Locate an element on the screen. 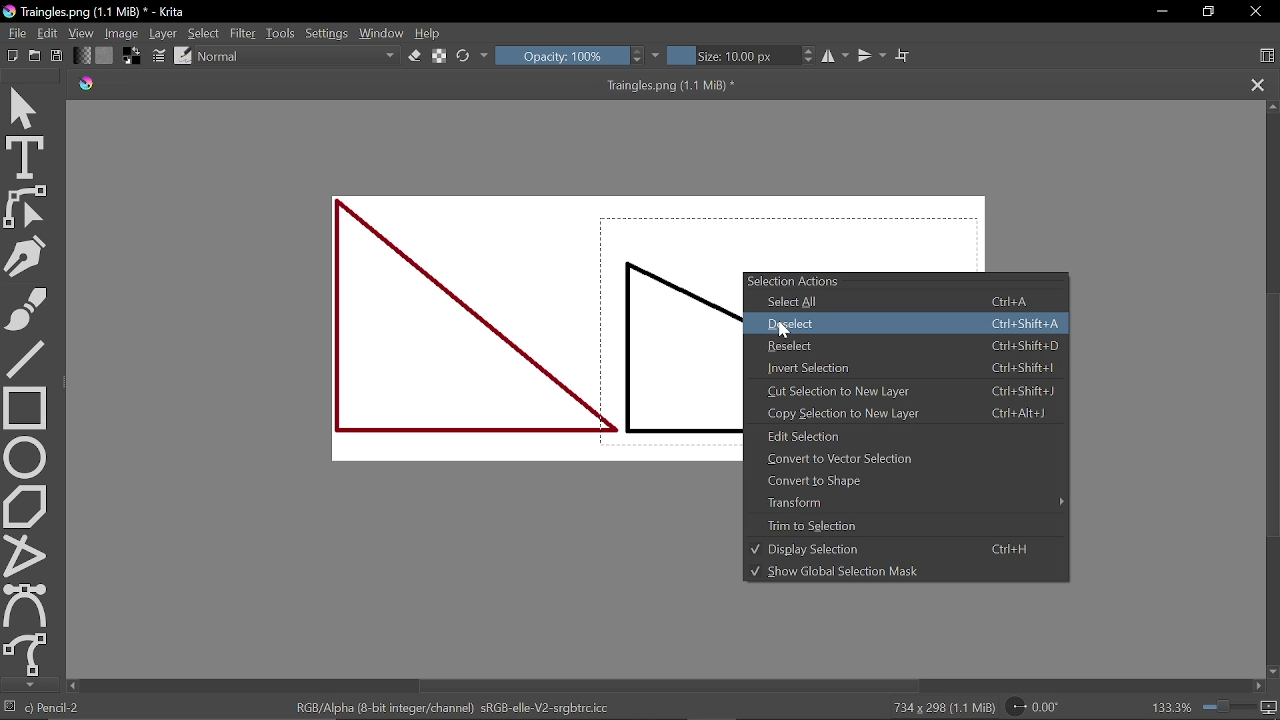 This screenshot has width=1280, height=720. Invert selection is located at coordinates (910, 369).